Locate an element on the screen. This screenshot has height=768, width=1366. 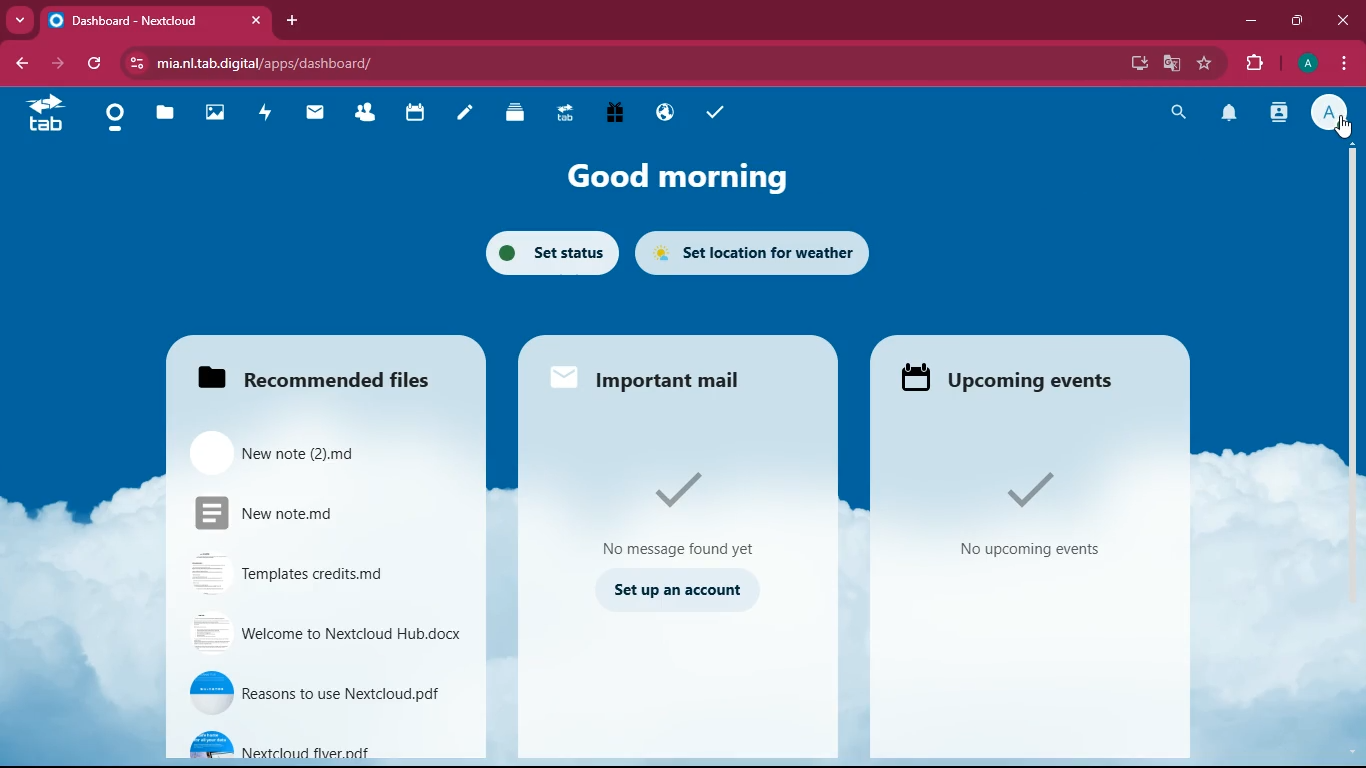
forward is located at coordinates (55, 64).